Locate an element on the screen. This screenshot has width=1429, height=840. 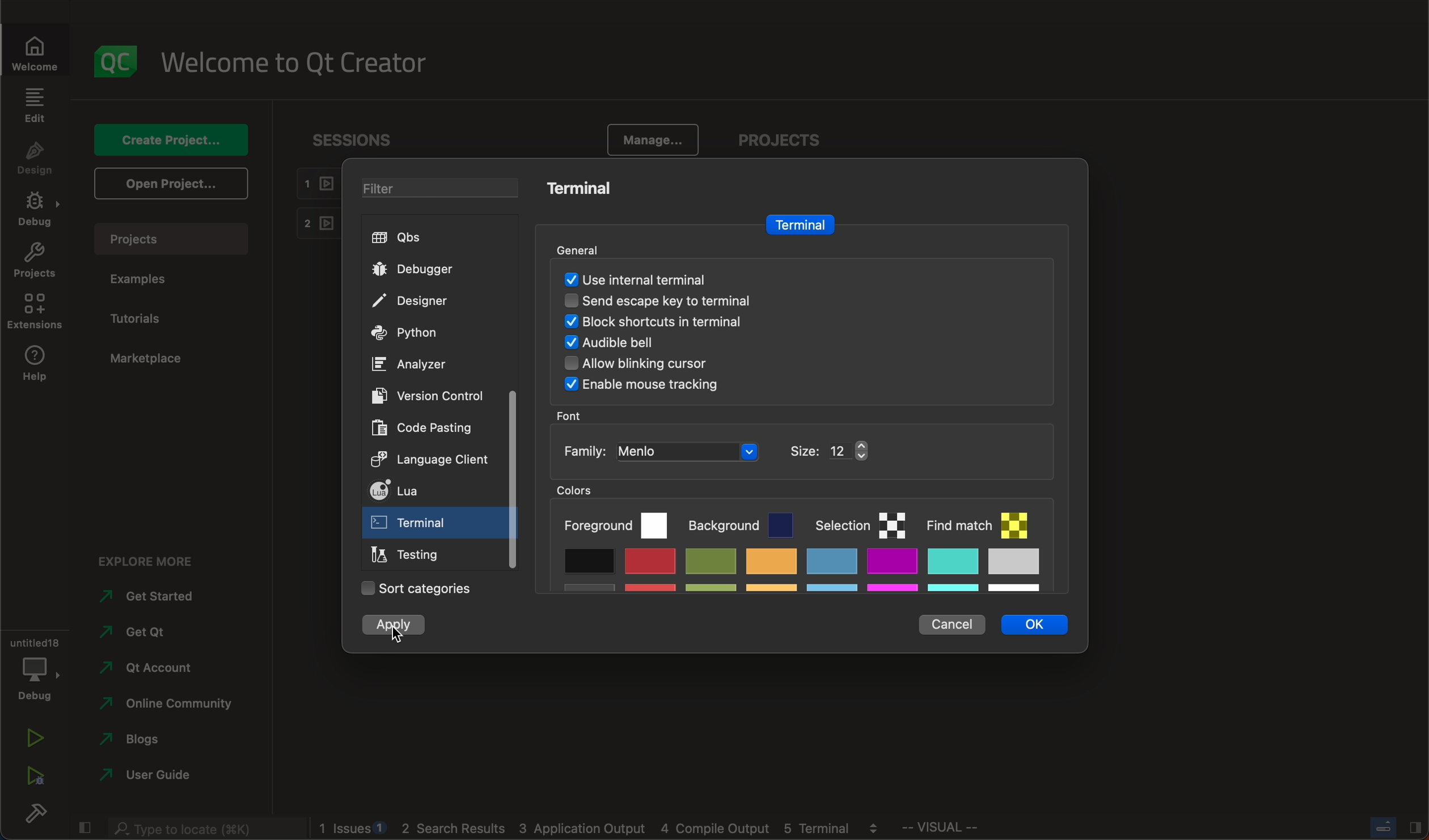
cursor is located at coordinates (398, 636).